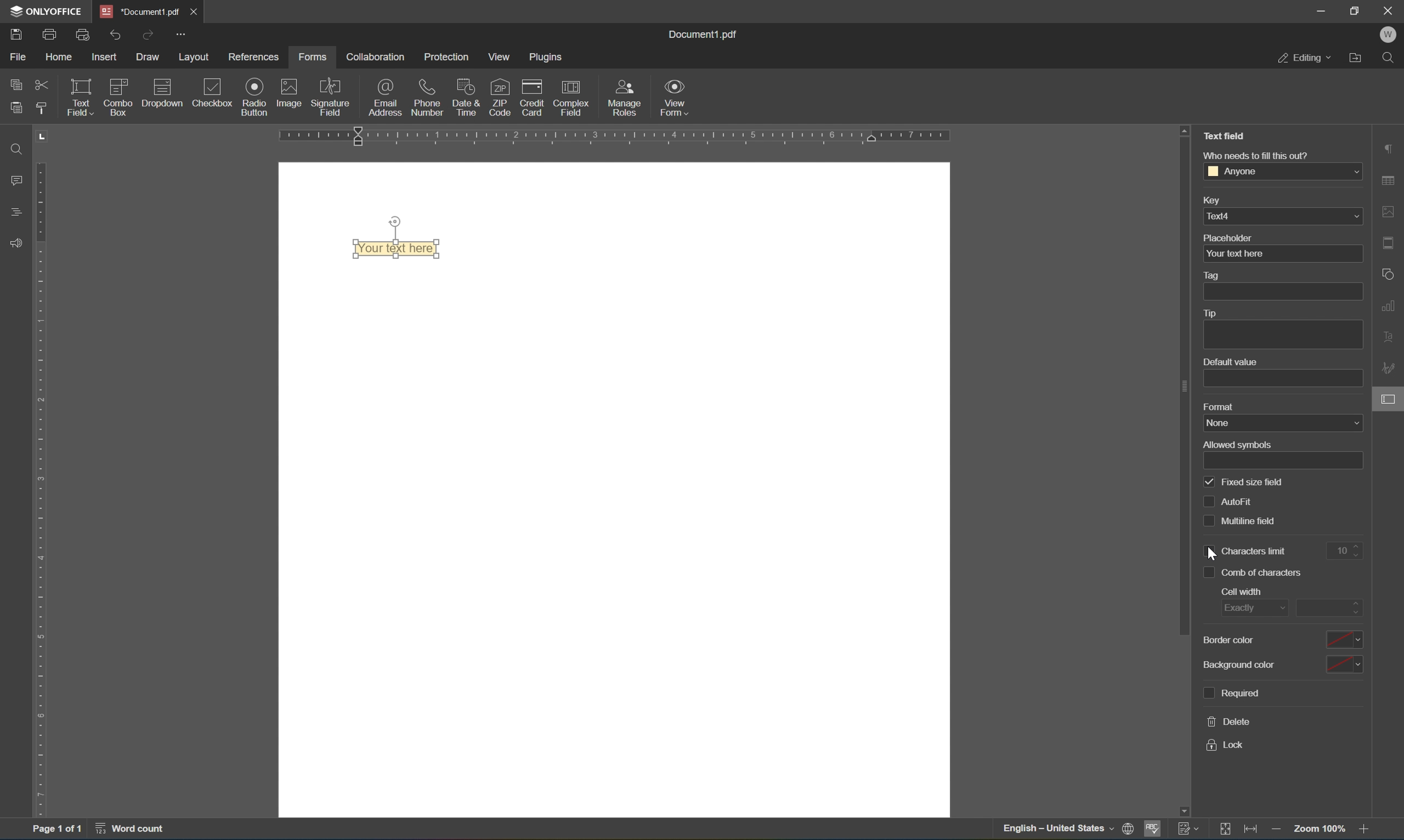 The width and height of the screenshot is (1404, 840). What do you see at coordinates (50, 32) in the screenshot?
I see `print` at bounding box center [50, 32].